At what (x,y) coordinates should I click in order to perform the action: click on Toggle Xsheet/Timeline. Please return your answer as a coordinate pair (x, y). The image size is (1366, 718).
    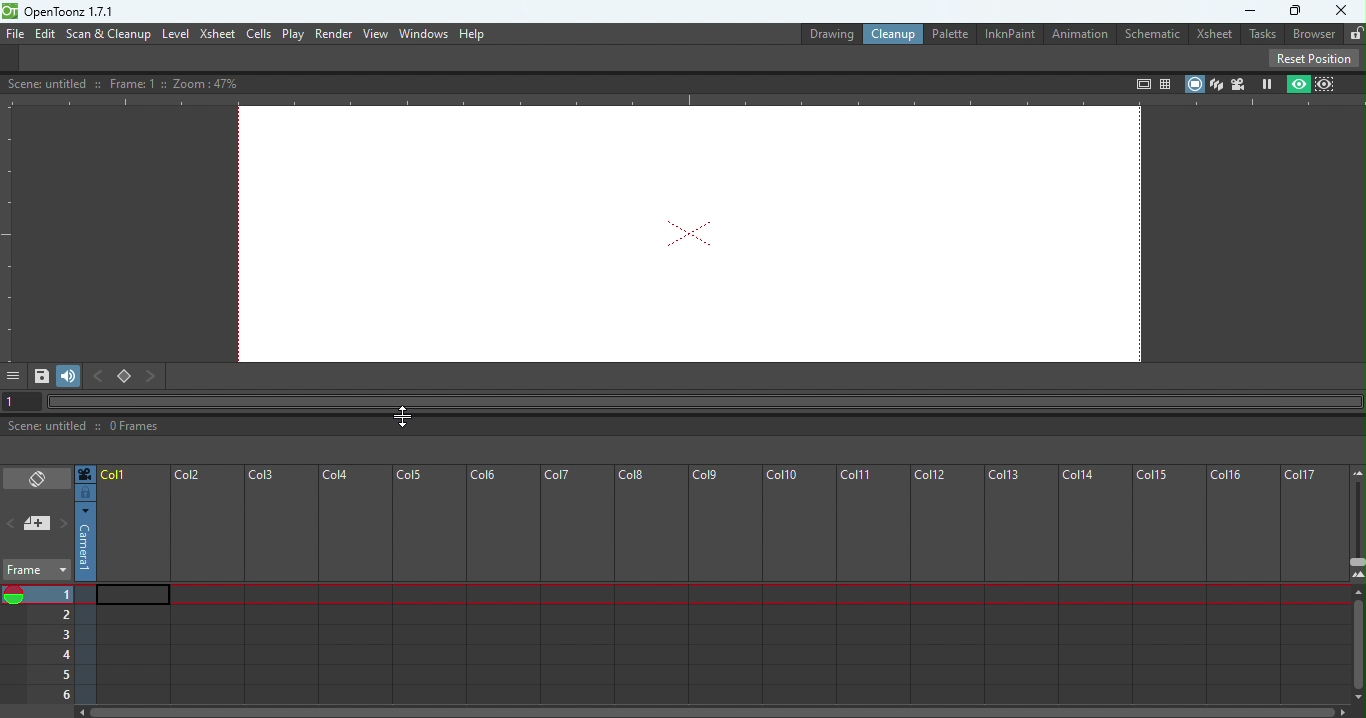
    Looking at the image, I should click on (37, 478).